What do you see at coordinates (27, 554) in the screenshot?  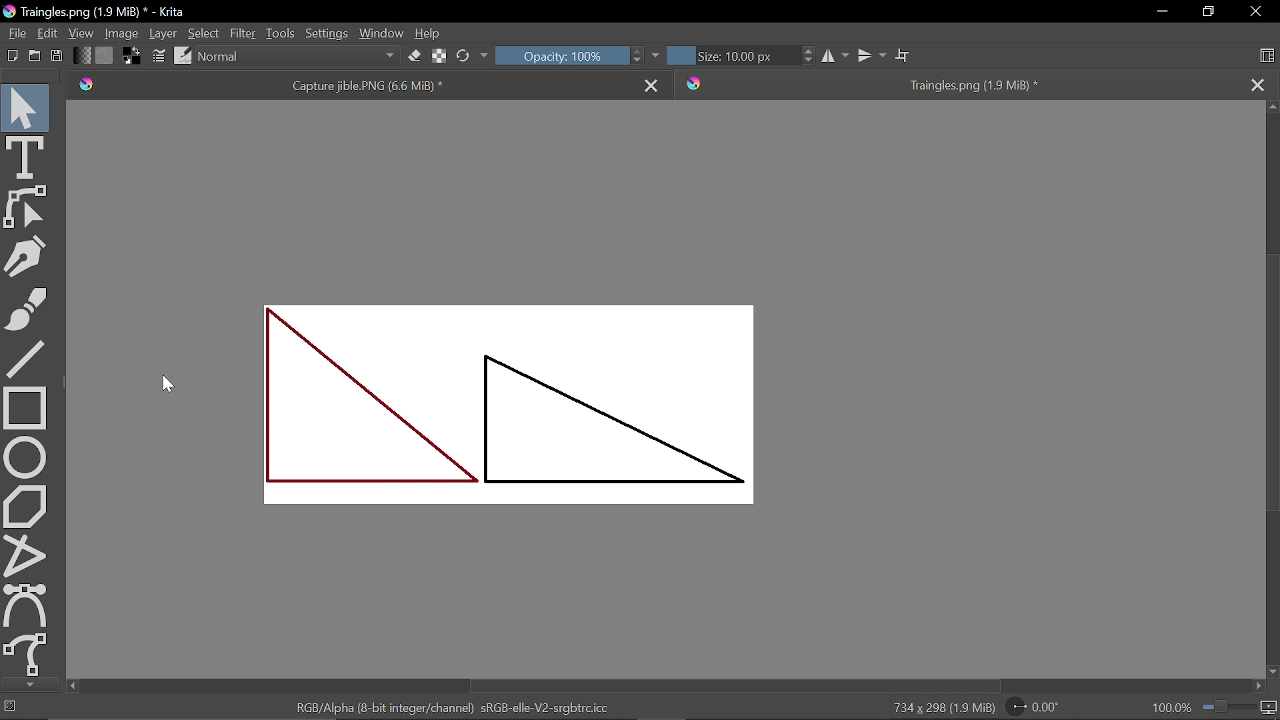 I see `polyline tool` at bounding box center [27, 554].